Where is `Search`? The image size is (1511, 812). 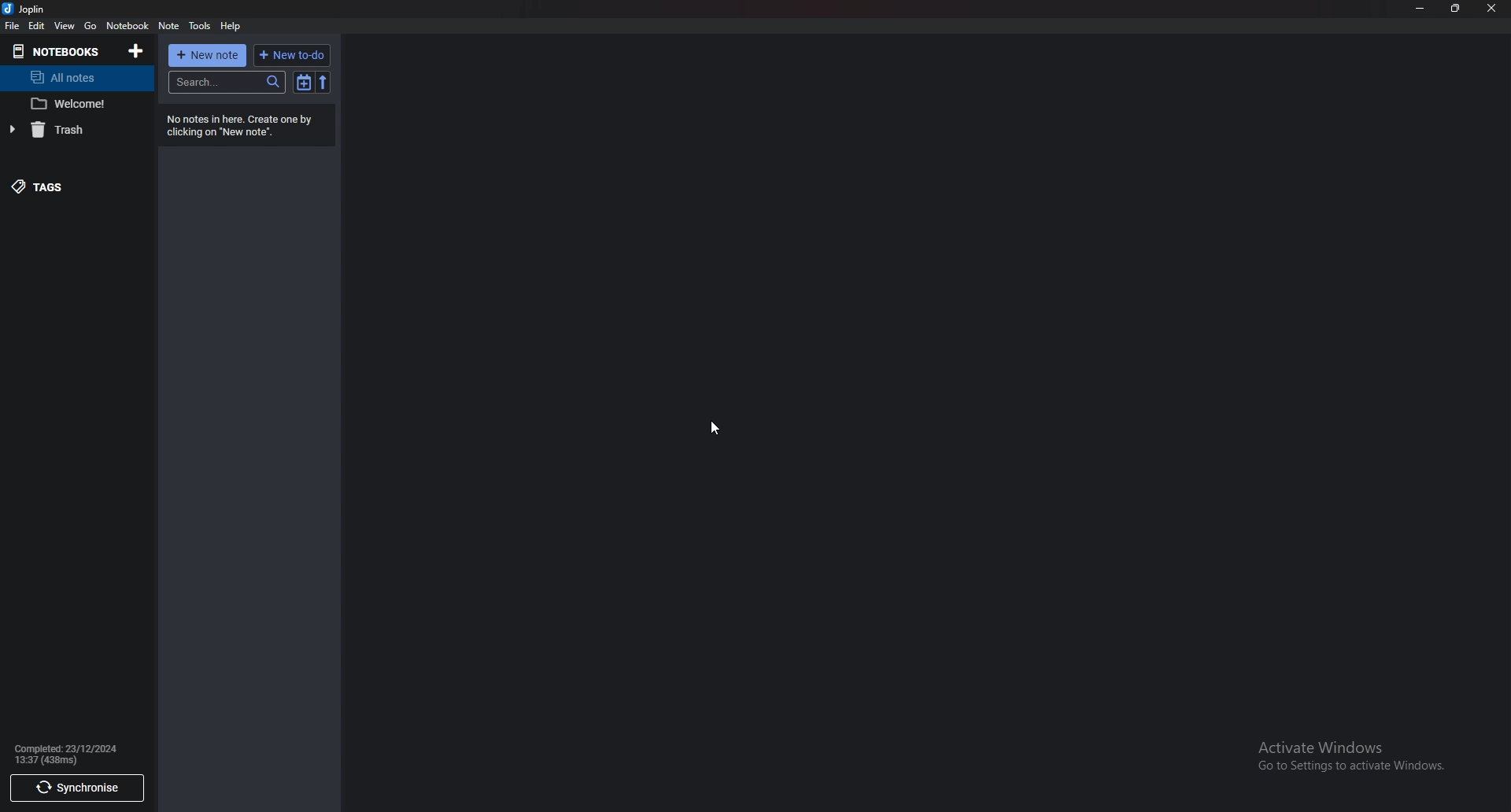
Search is located at coordinates (226, 83).